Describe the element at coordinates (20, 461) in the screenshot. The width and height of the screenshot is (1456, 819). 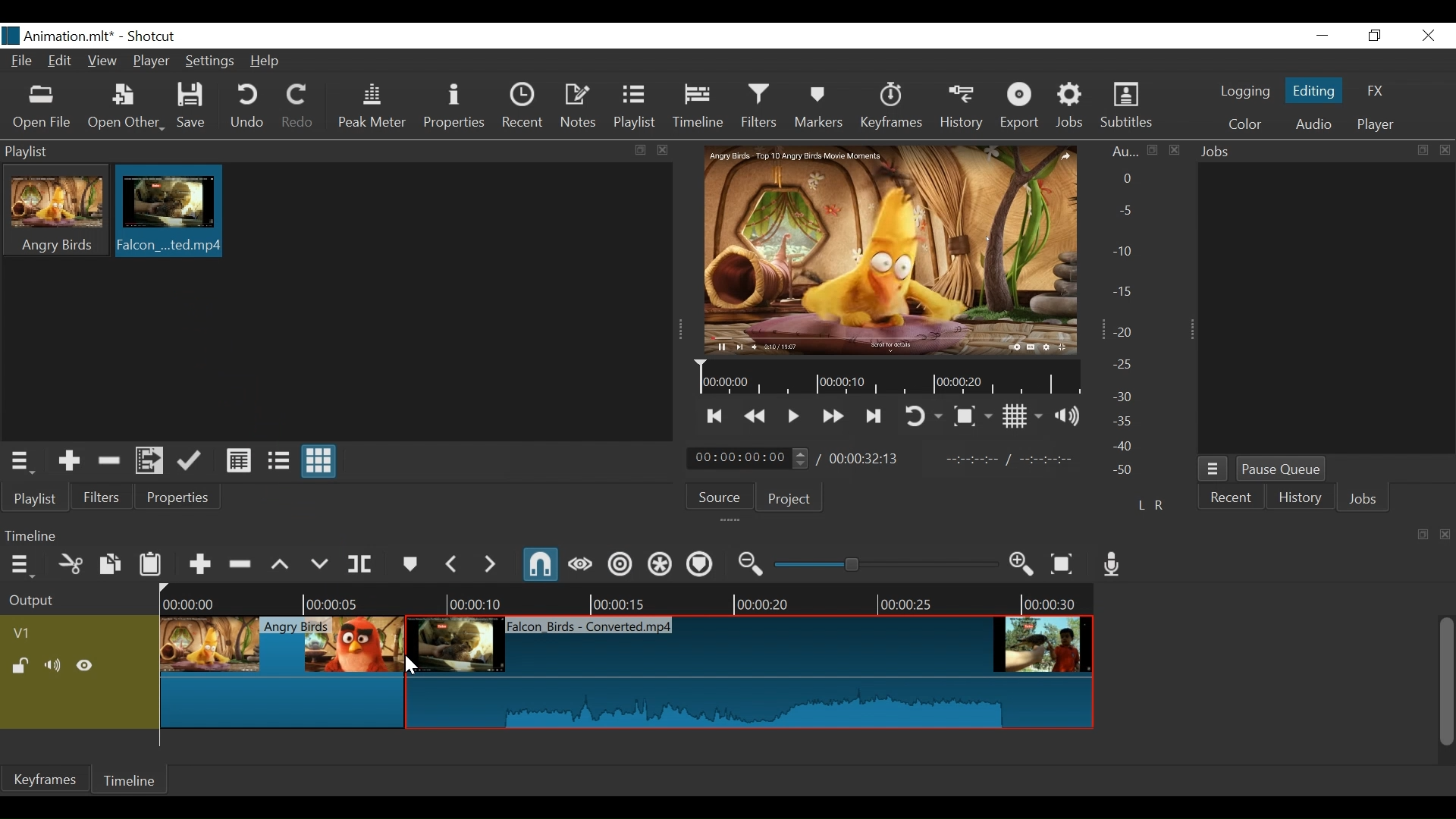
I see `Playlist Menu` at that location.